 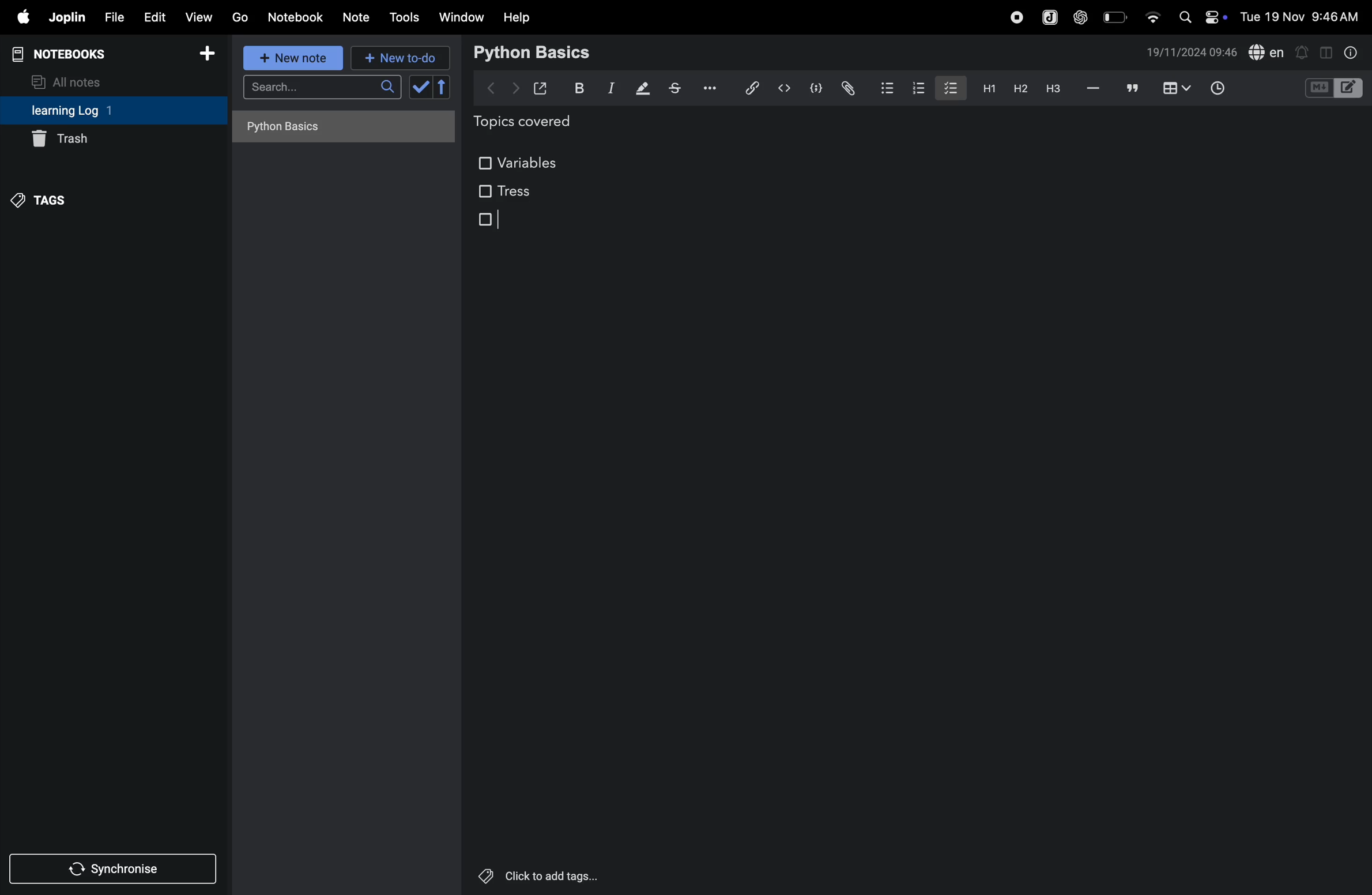 What do you see at coordinates (199, 17) in the screenshot?
I see `view` at bounding box center [199, 17].